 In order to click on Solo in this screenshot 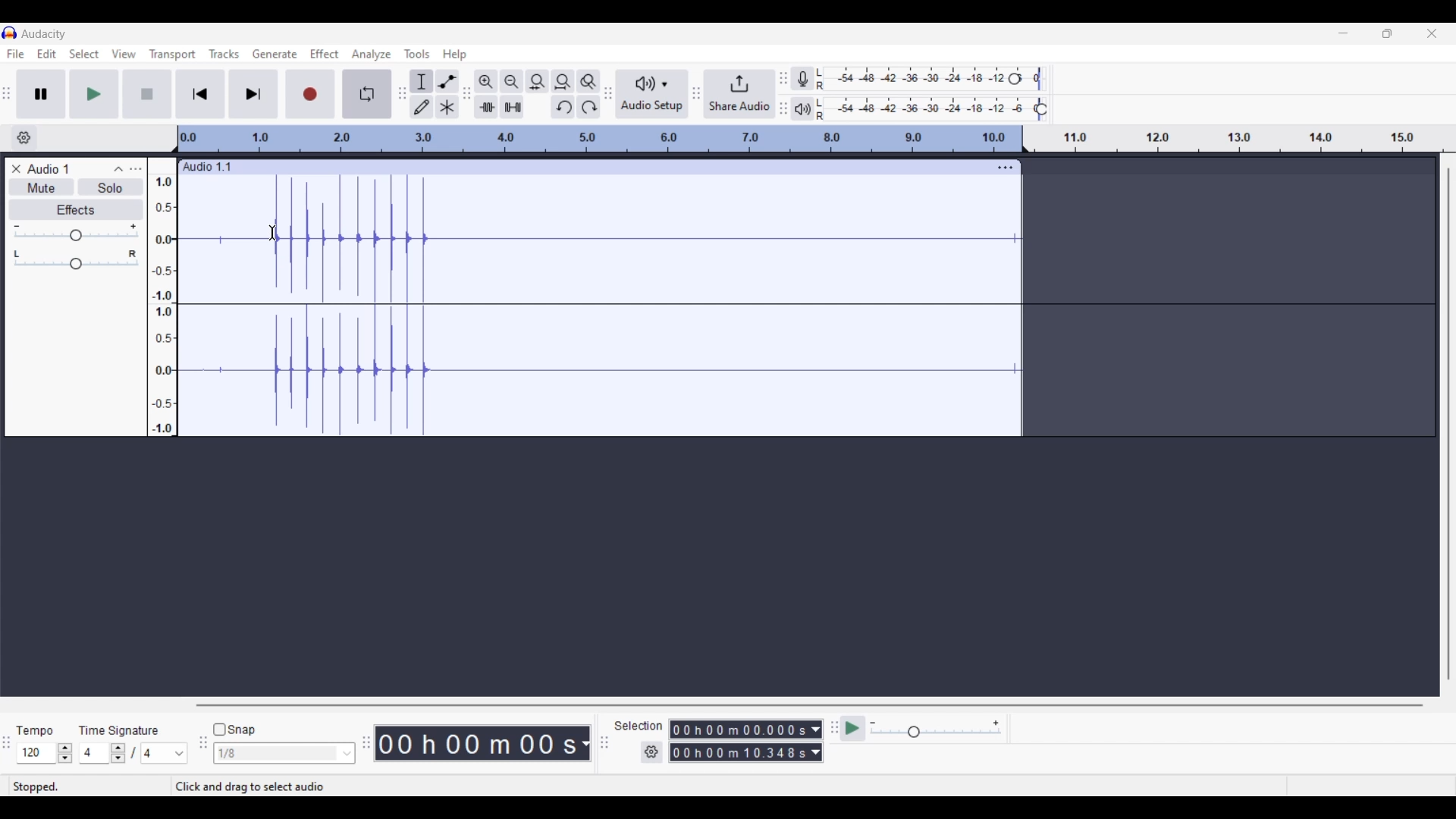, I will do `click(110, 187)`.